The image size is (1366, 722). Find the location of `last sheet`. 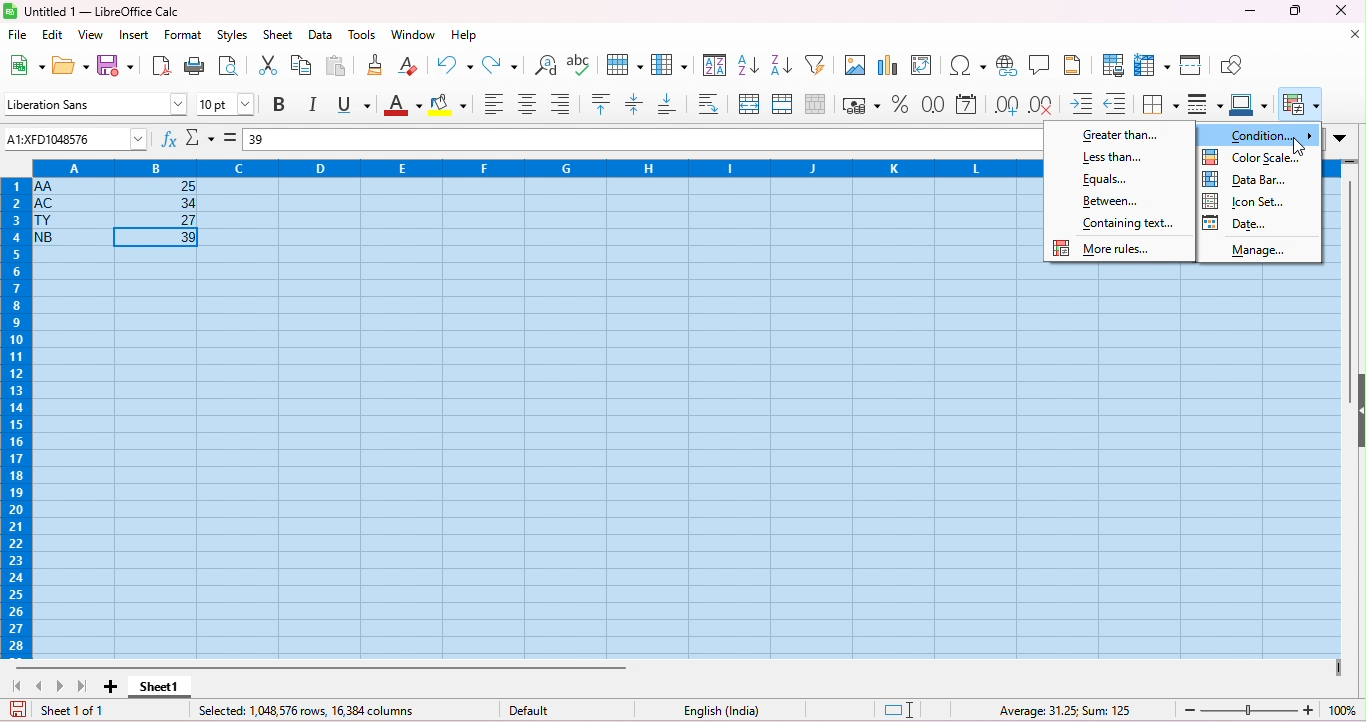

last sheet is located at coordinates (82, 687).